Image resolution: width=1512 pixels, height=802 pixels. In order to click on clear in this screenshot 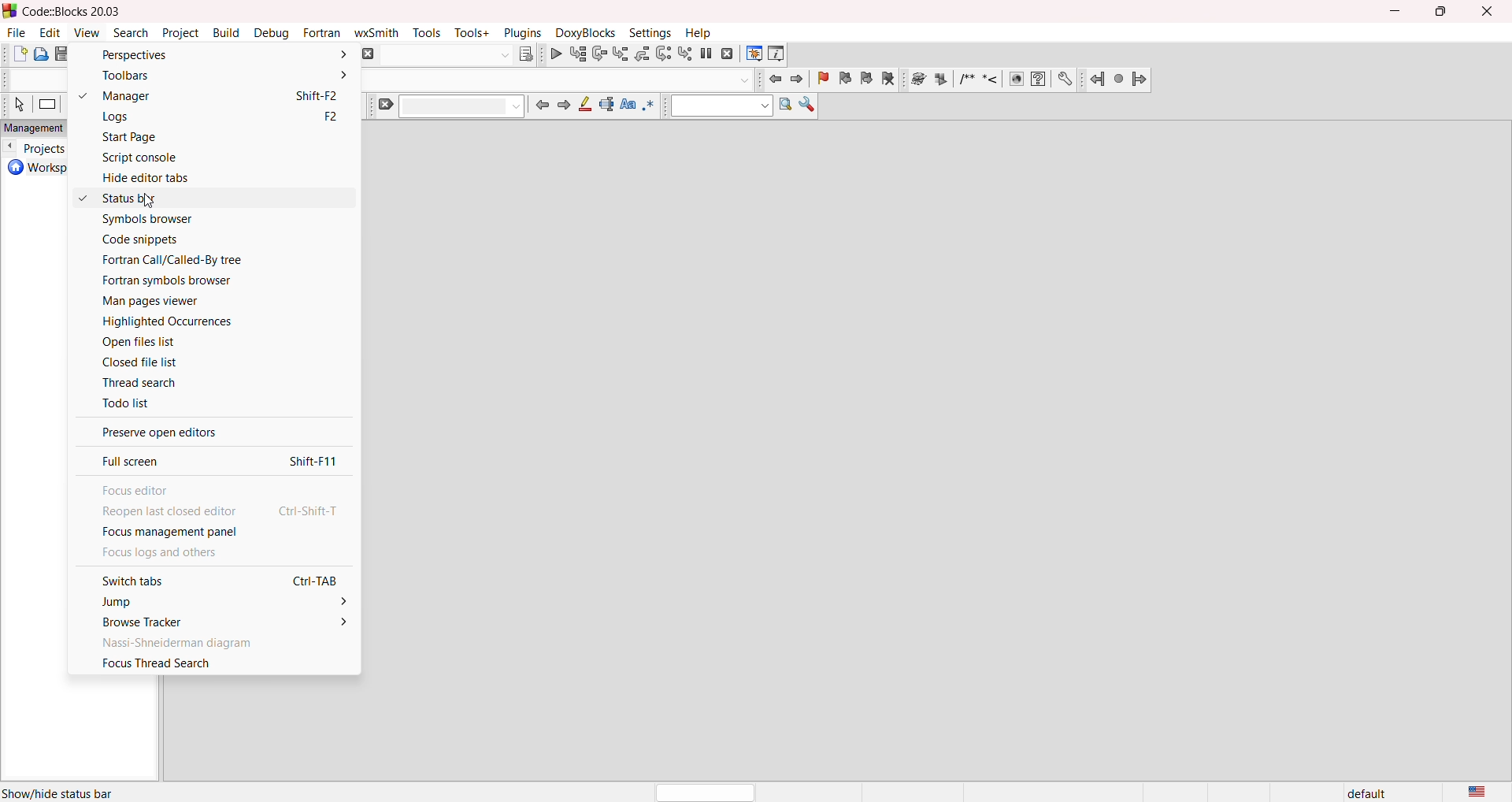, I will do `click(453, 106)`.